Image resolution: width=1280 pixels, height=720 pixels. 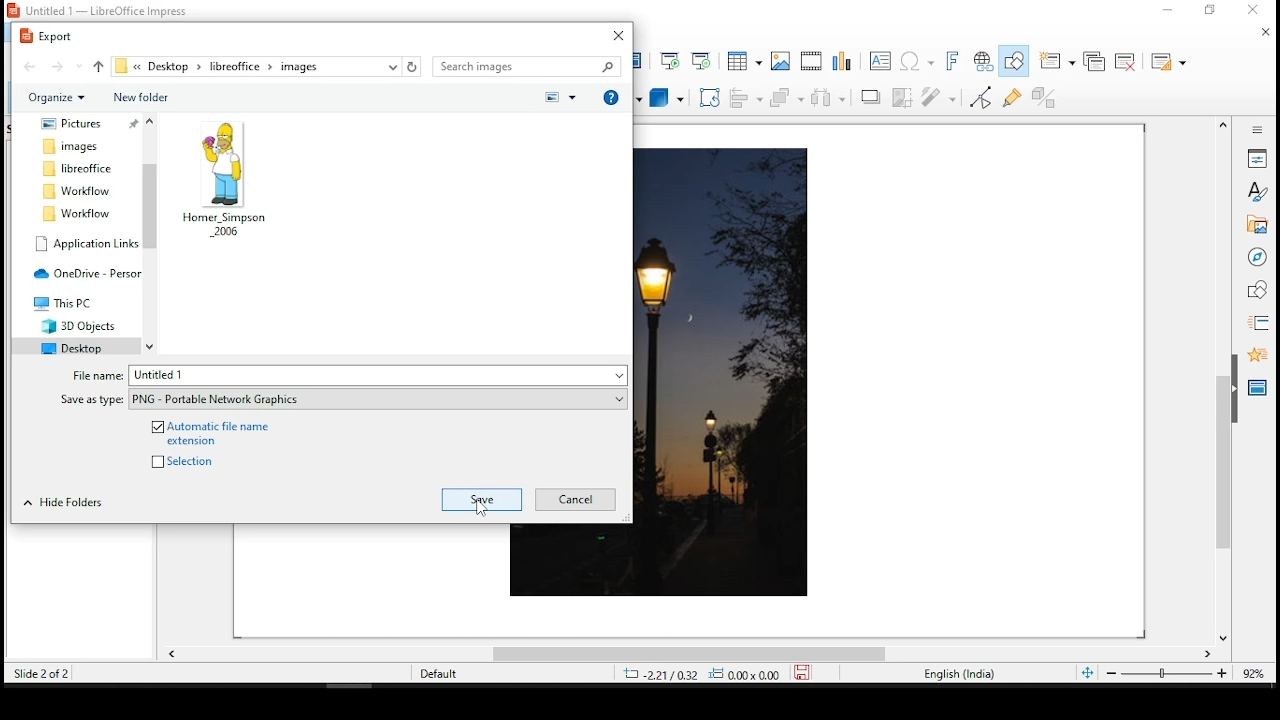 What do you see at coordinates (75, 213) in the screenshot?
I see `folder` at bounding box center [75, 213].